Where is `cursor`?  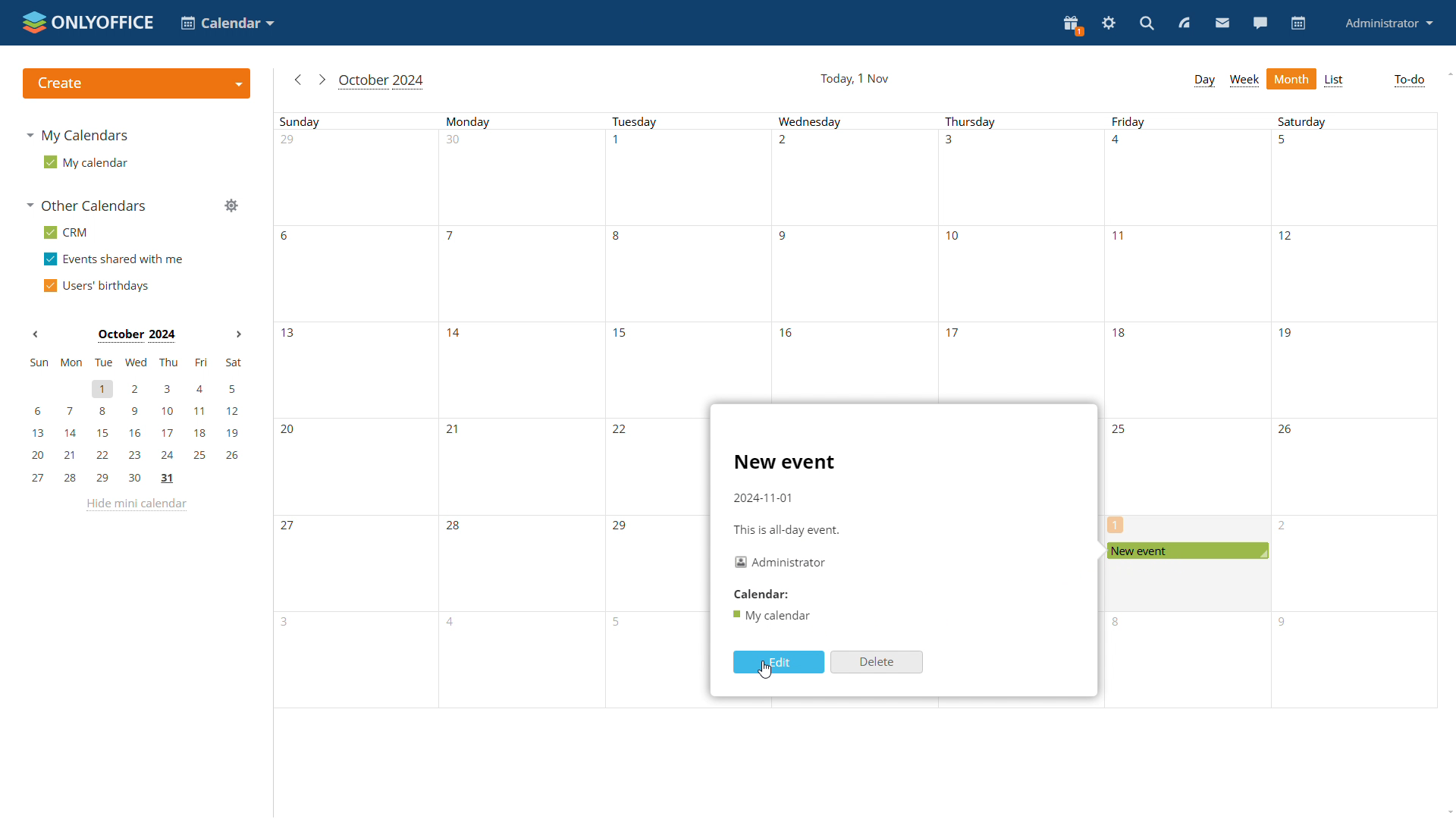 cursor is located at coordinates (765, 670).